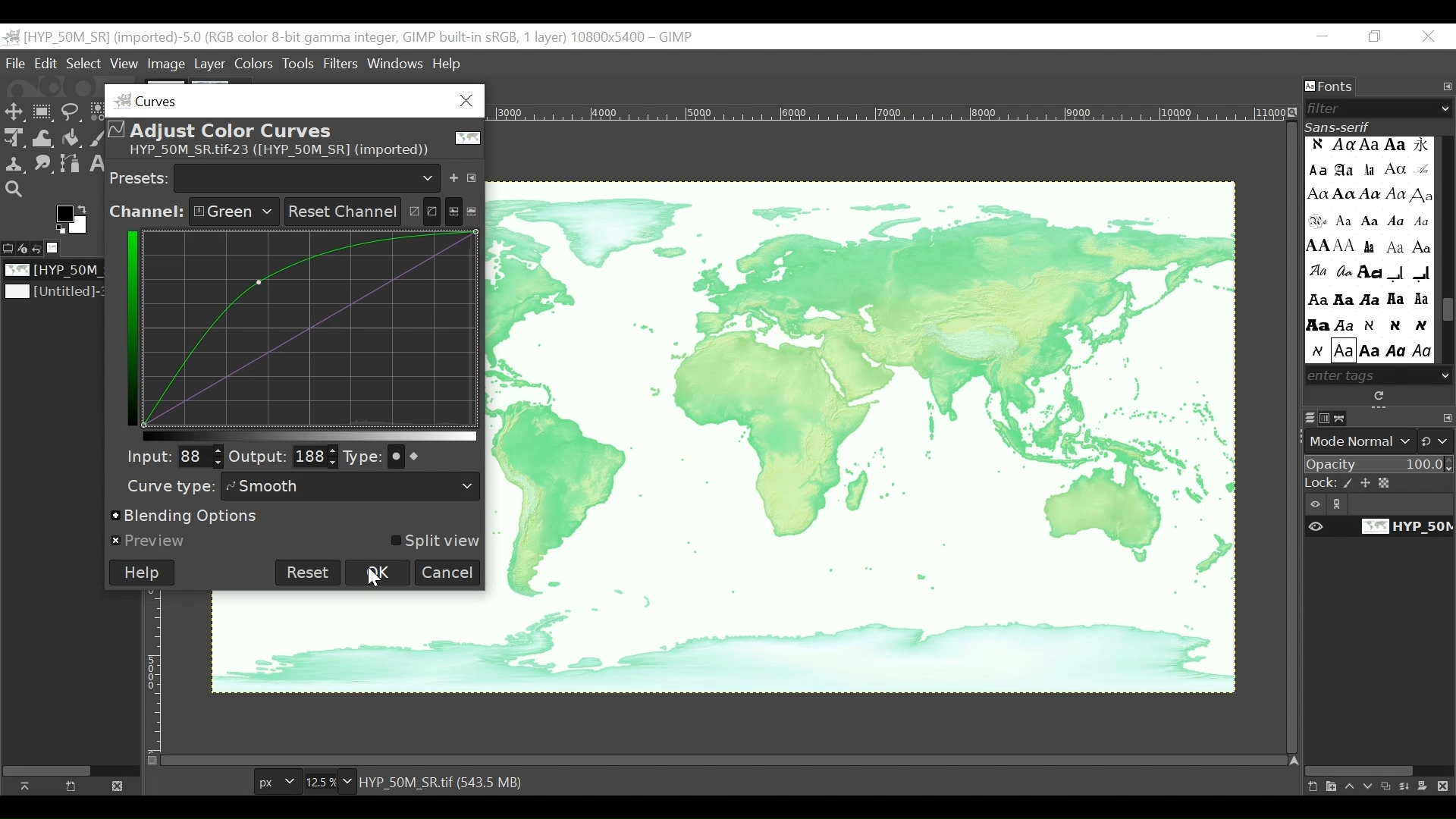 The width and height of the screenshot is (1456, 819). Describe the element at coordinates (256, 63) in the screenshot. I see `Colors` at that location.